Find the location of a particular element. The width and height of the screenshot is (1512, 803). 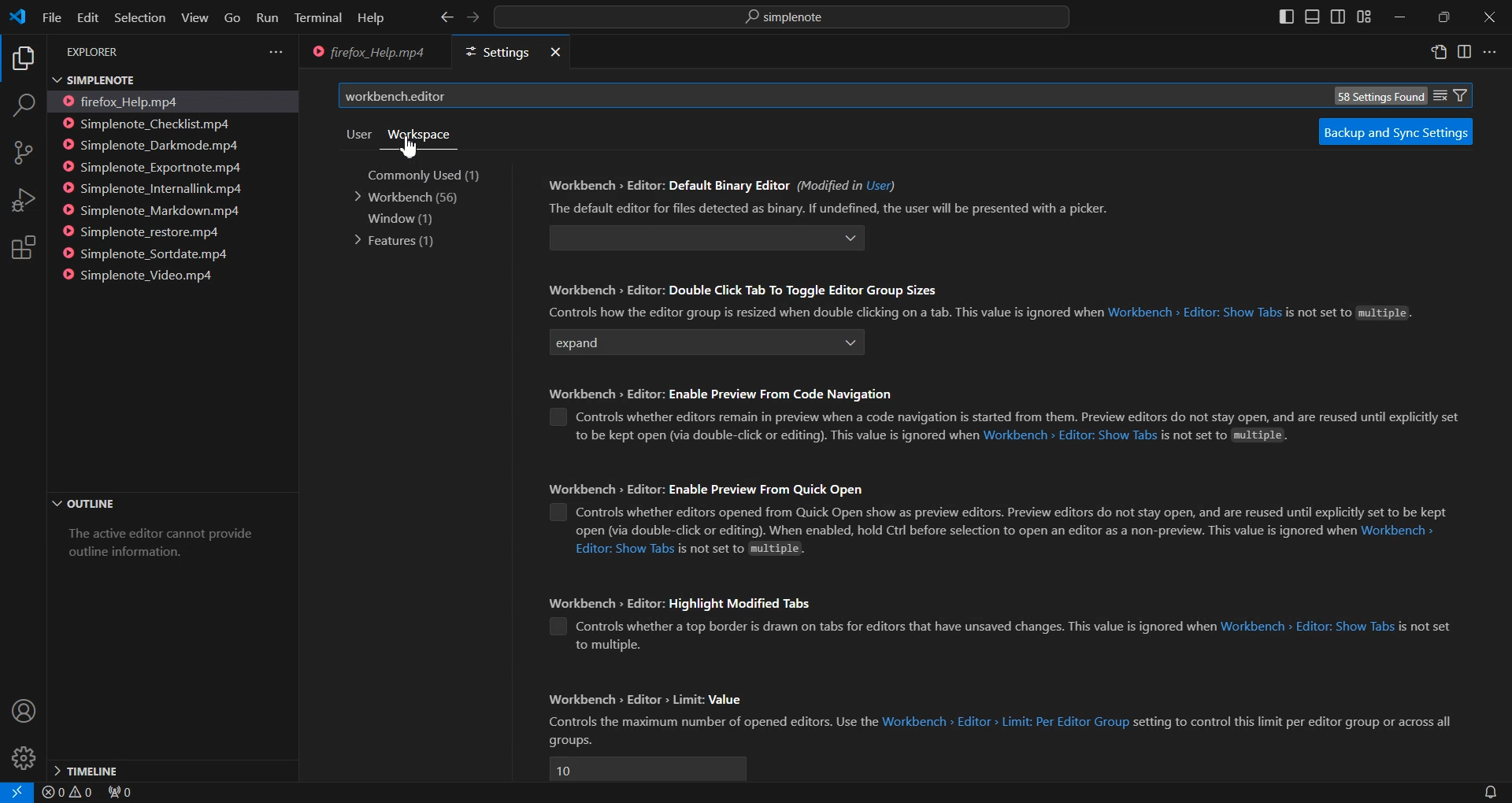

Workbench is located at coordinates (411, 198).